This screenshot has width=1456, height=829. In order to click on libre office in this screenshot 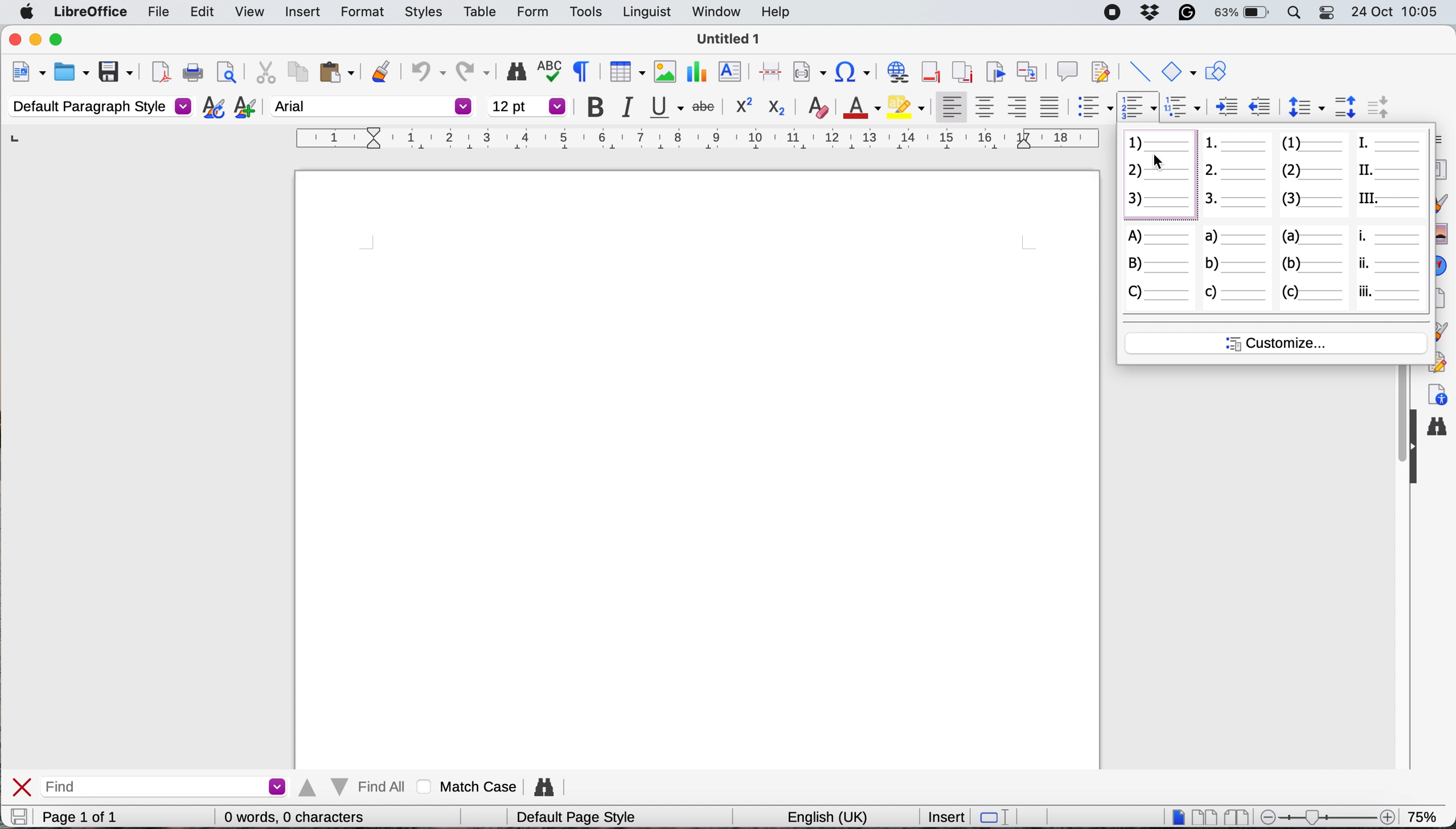, I will do `click(89, 12)`.